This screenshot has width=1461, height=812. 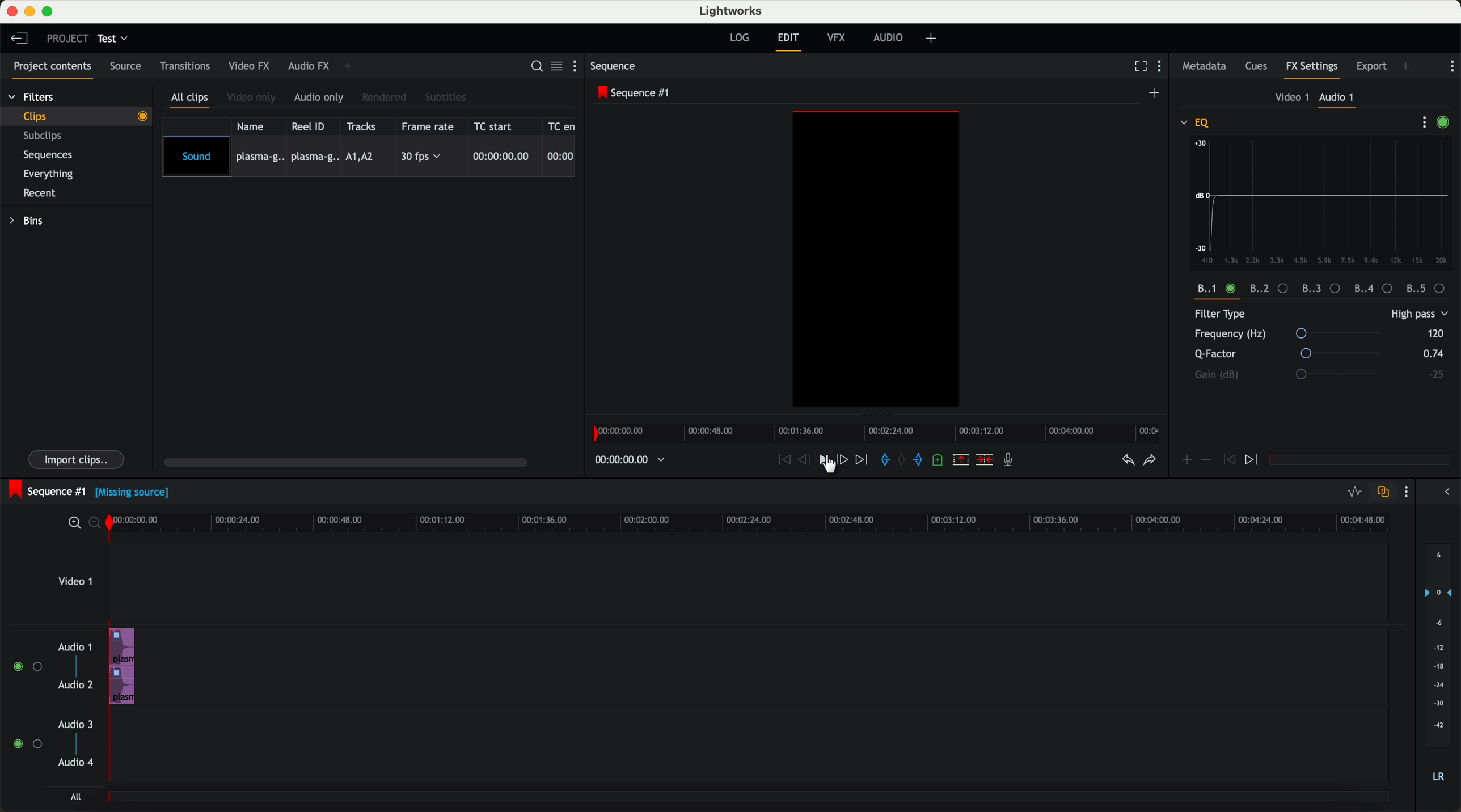 What do you see at coordinates (311, 126) in the screenshot?
I see `reel ID` at bounding box center [311, 126].